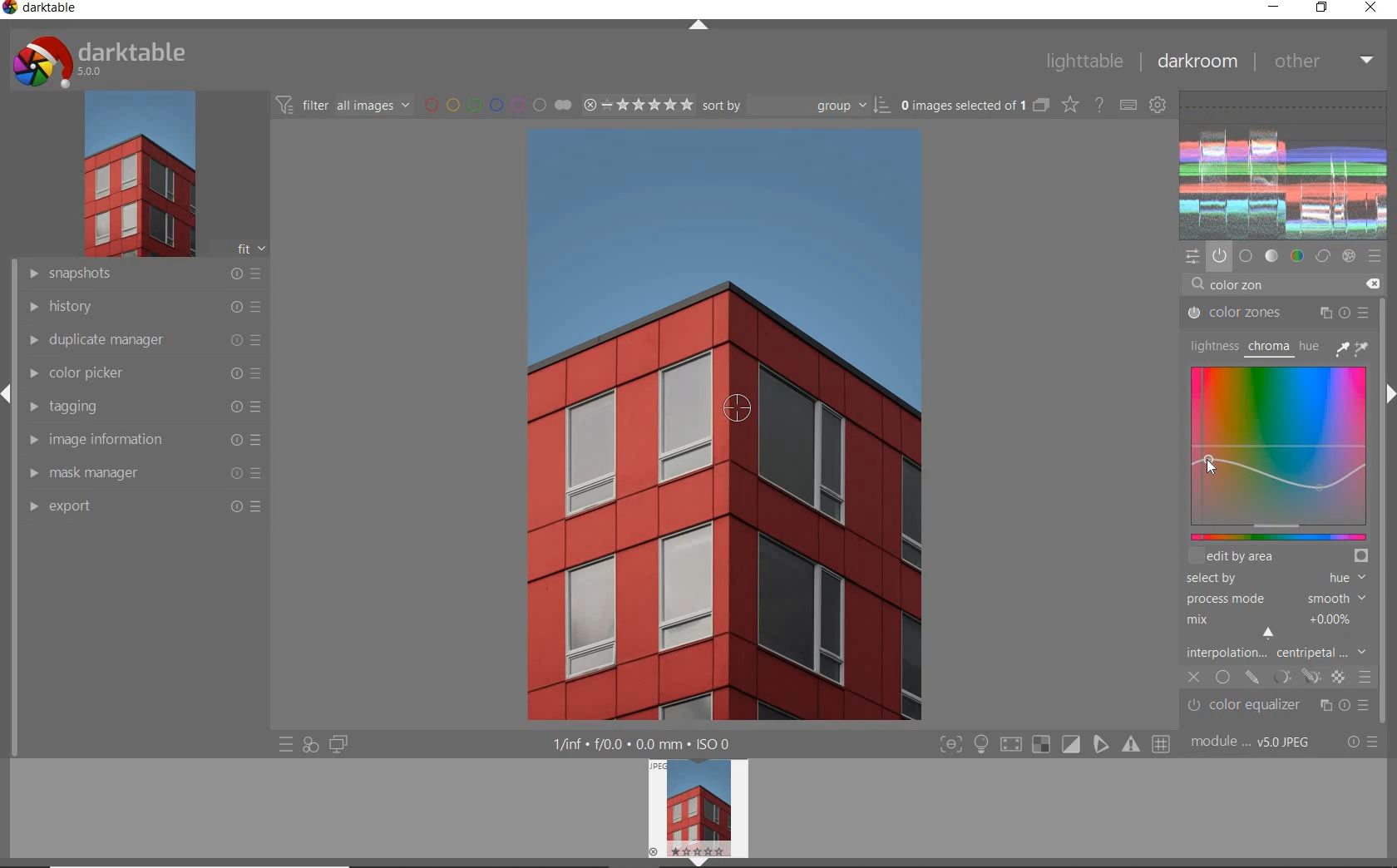 This screenshot has width=1397, height=868. I want to click on MASK OPTIONS, so click(1294, 677).